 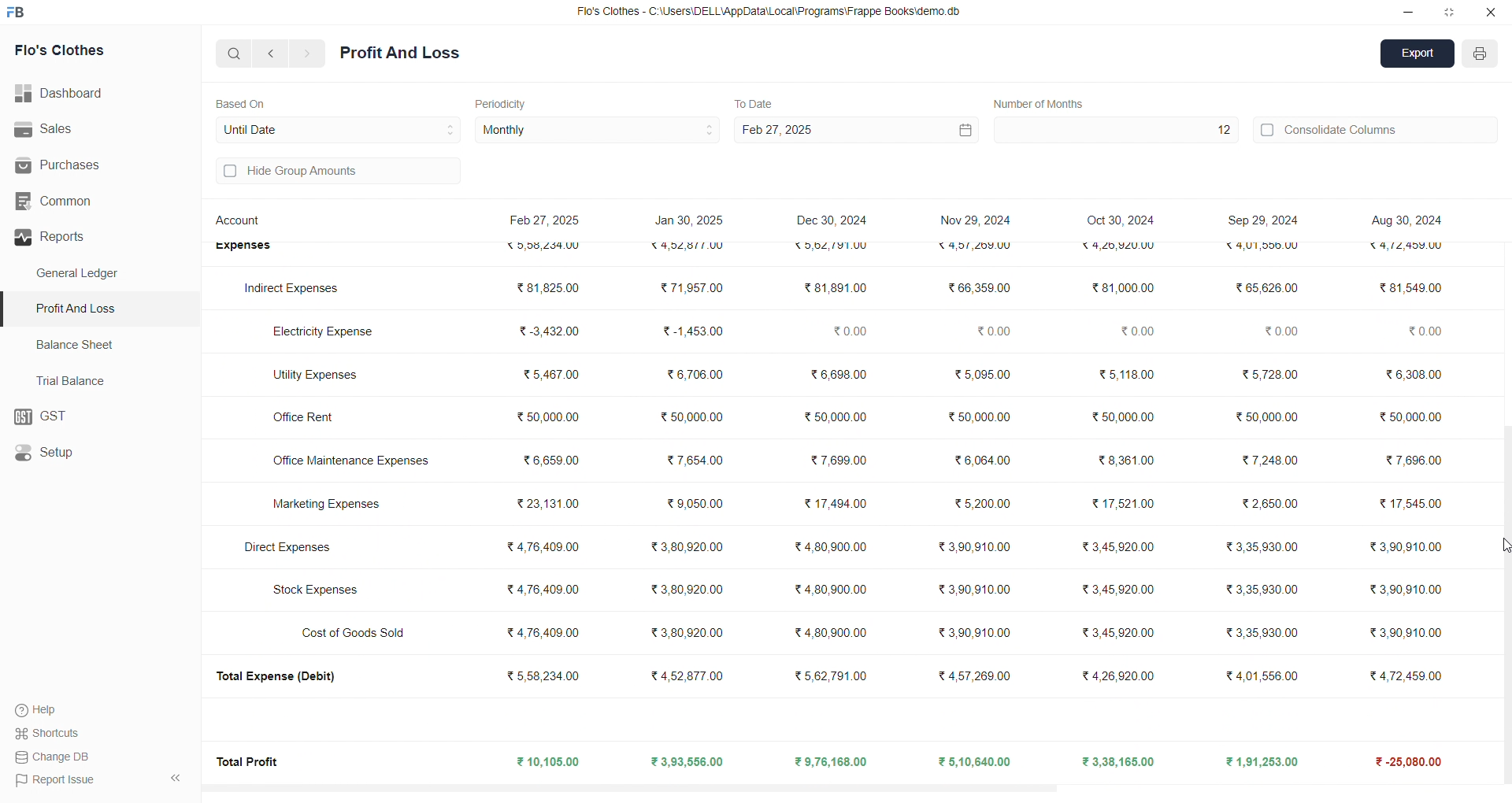 I want to click on Feb 27, 2025, so click(x=854, y=130).